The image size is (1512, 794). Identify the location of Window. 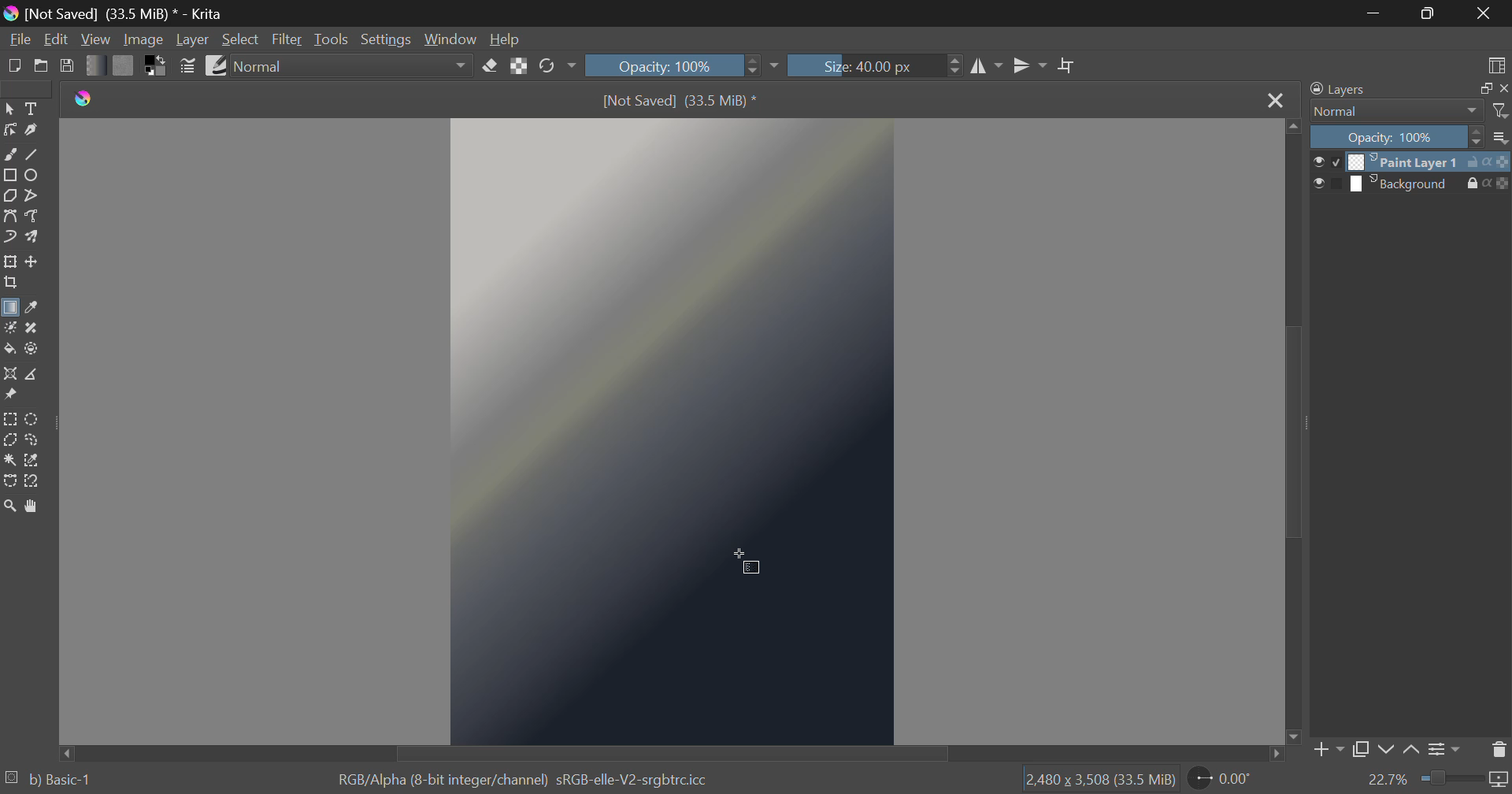
(449, 39).